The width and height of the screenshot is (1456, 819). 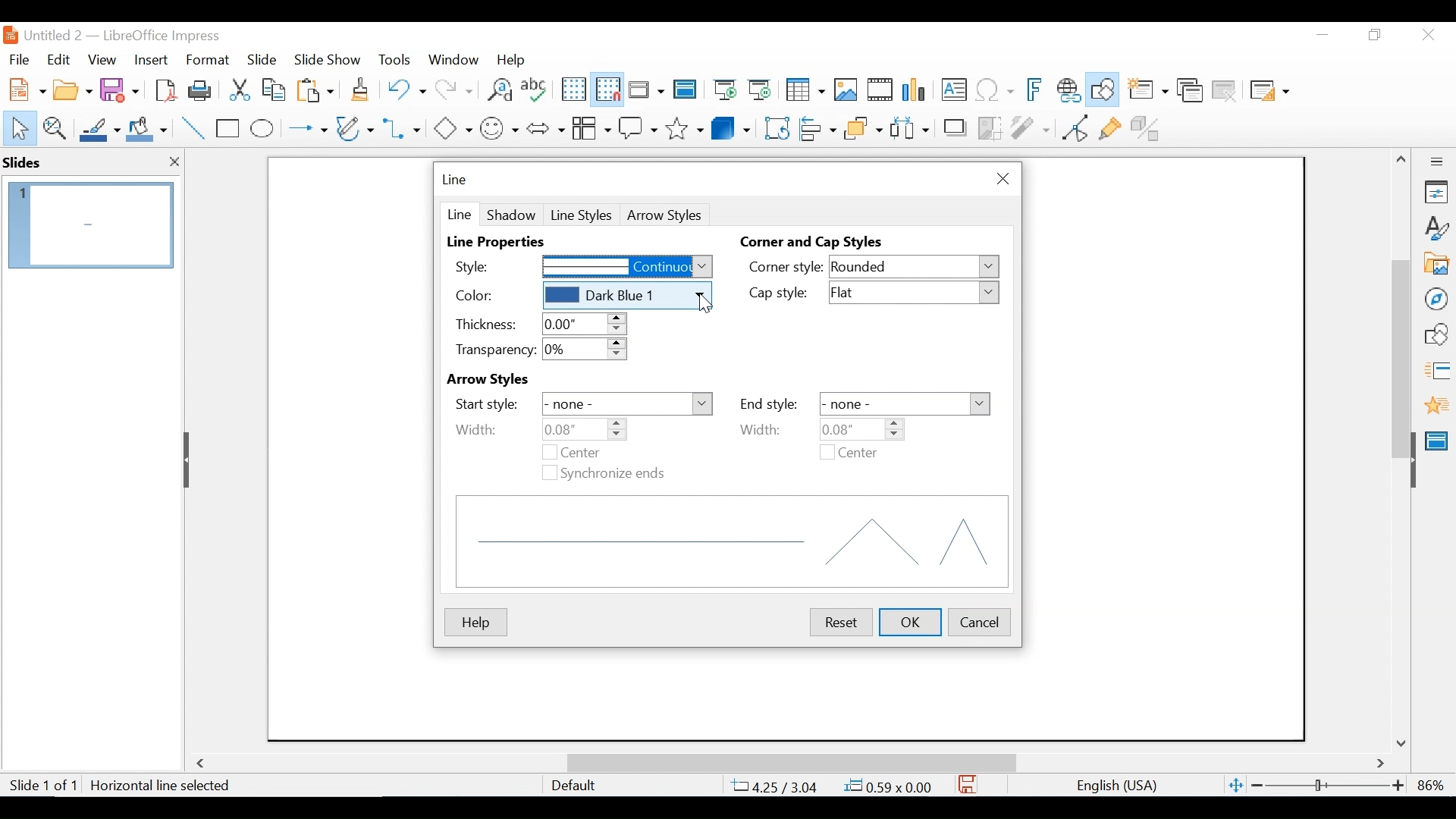 I want to click on Untitled 2 - LibreOffice Impress, so click(x=137, y=35).